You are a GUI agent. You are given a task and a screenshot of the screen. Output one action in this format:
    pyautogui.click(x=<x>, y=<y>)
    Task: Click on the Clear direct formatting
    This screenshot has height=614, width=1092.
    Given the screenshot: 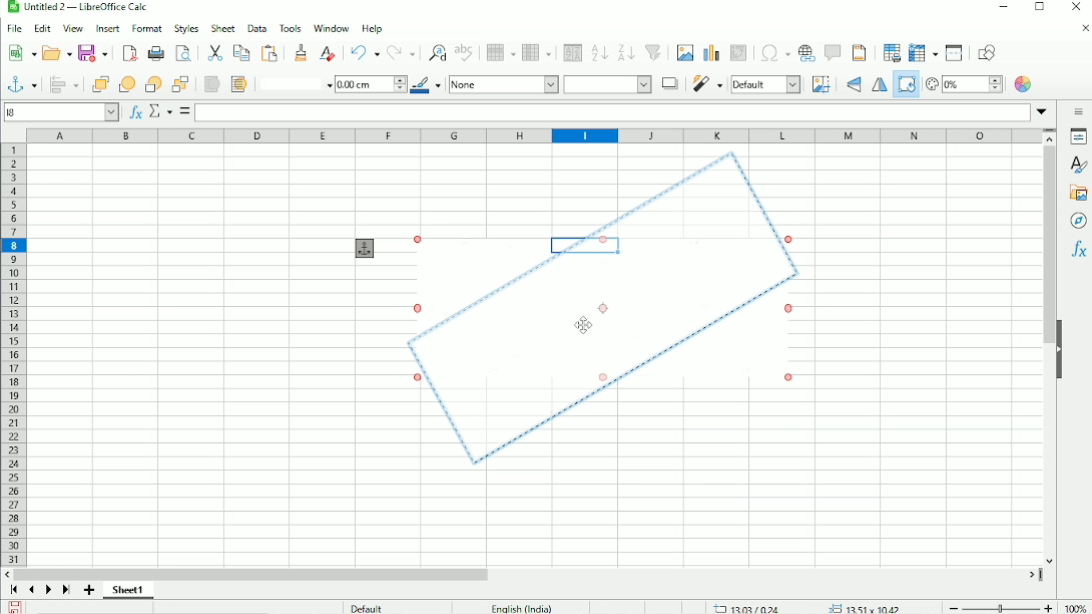 What is the action you would take?
    pyautogui.click(x=326, y=53)
    